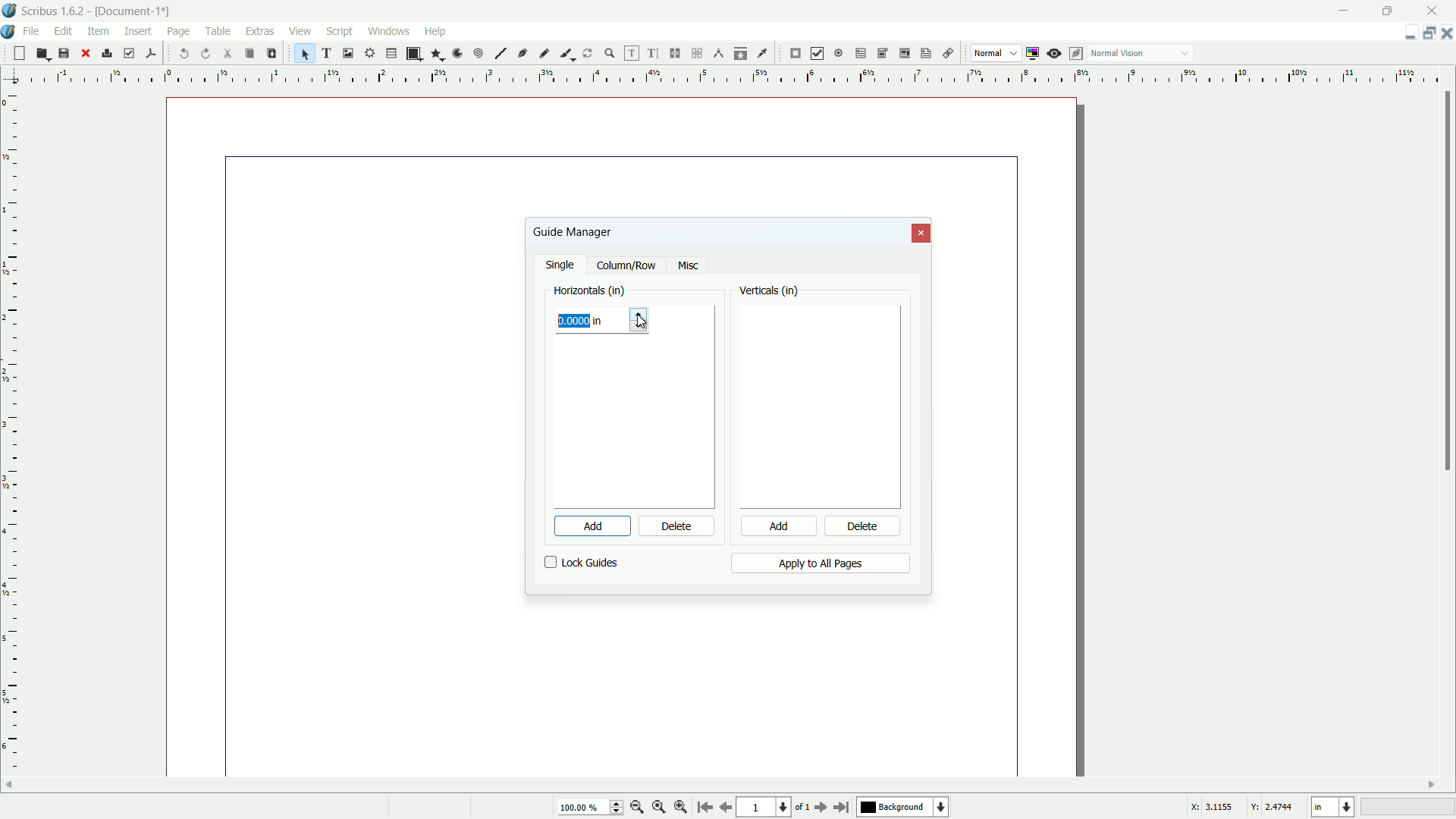  Describe the element at coordinates (583, 526) in the screenshot. I see `add` at that location.